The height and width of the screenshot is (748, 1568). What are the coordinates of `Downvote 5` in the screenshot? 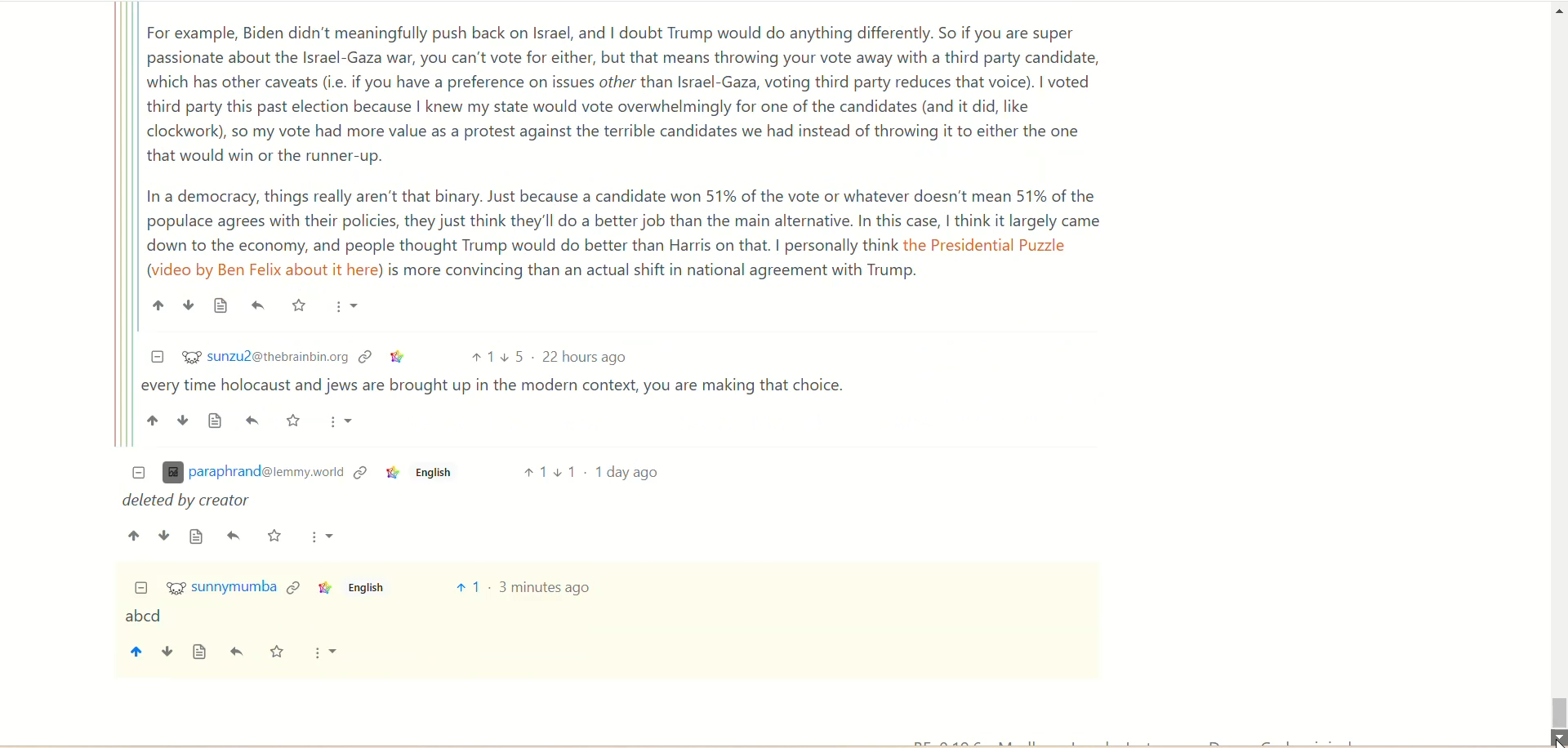 It's located at (514, 358).